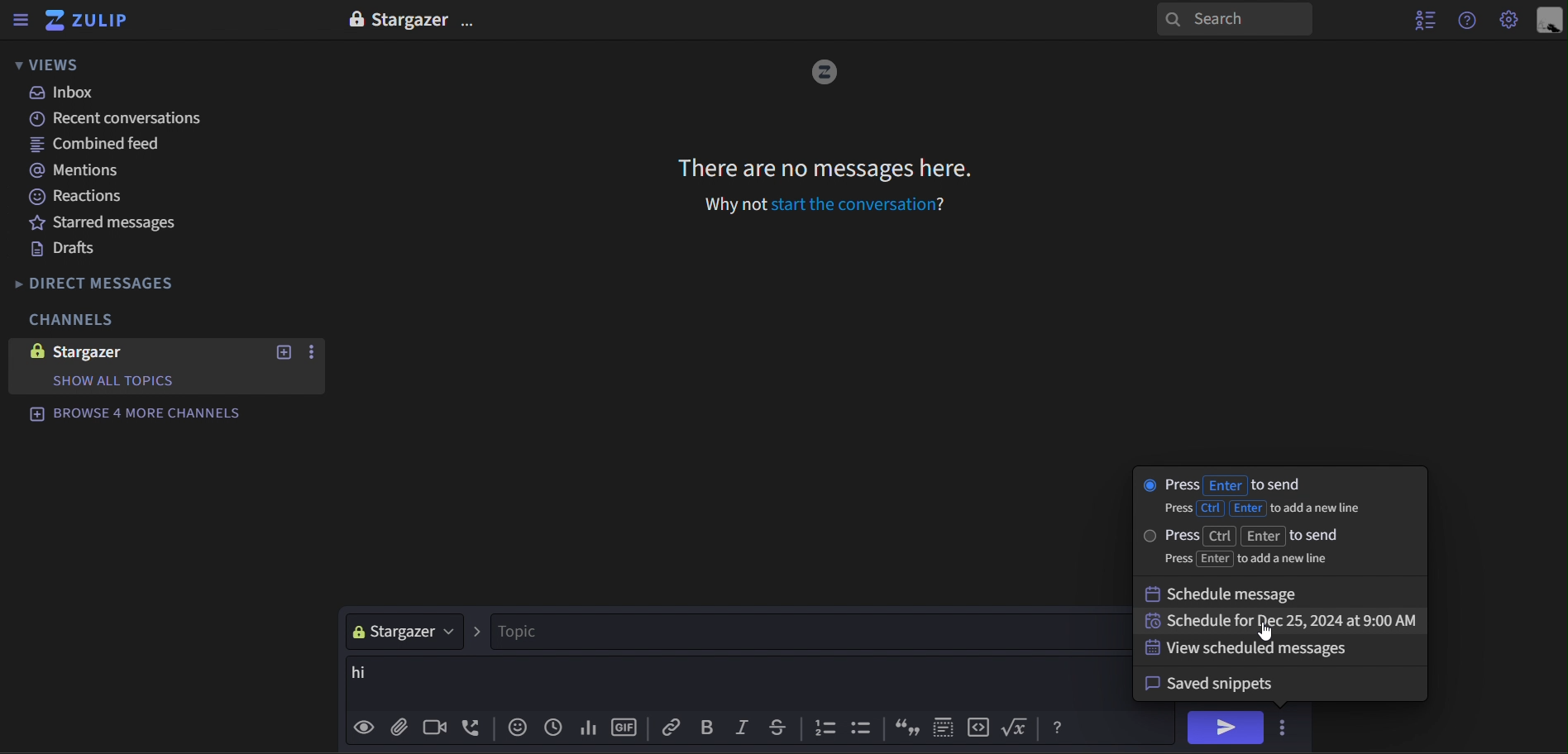 This screenshot has width=1568, height=754. Describe the element at coordinates (115, 250) in the screenshot. I see `drafts` at that location.